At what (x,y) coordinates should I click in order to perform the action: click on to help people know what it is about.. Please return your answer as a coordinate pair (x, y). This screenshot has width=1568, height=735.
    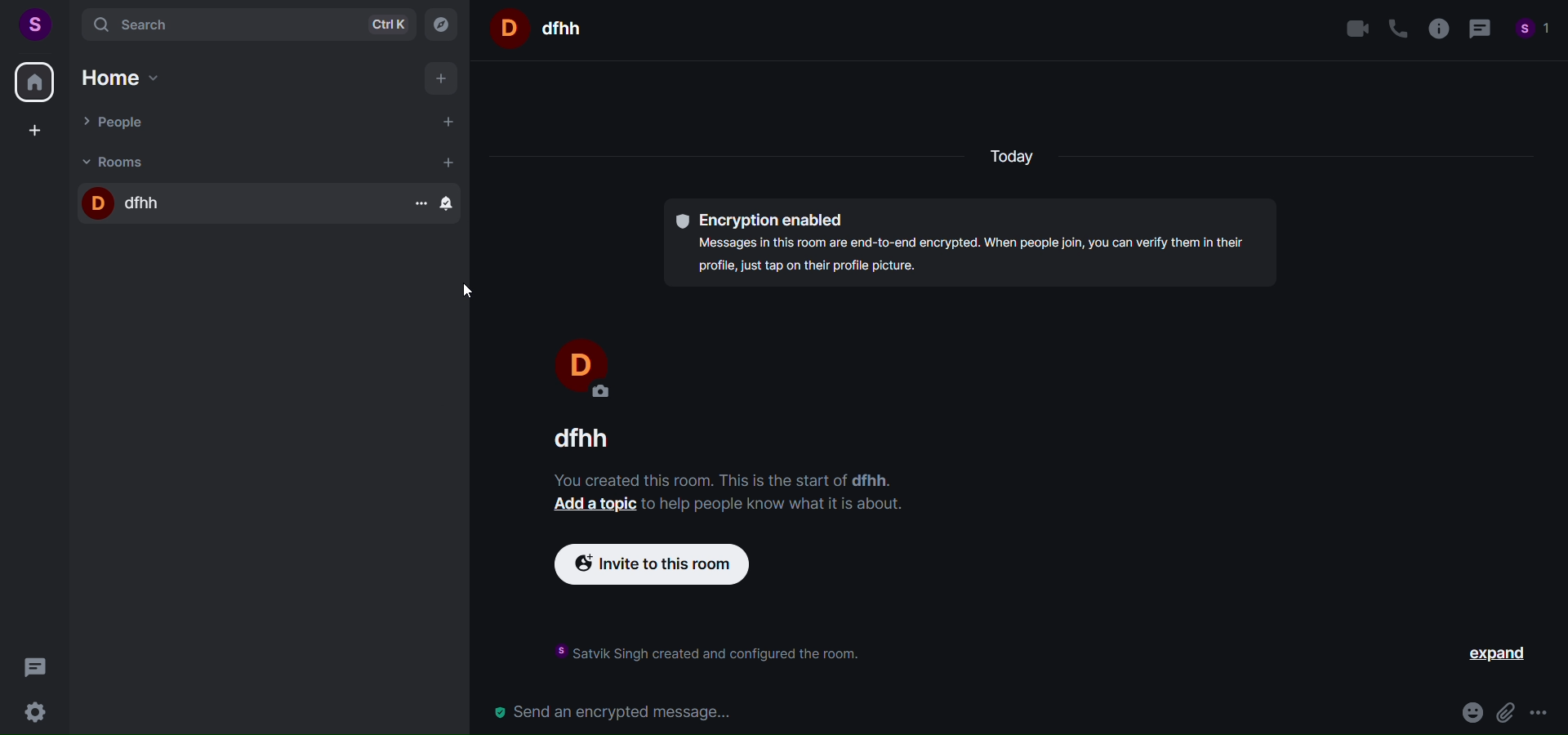
    Looking at the image, I should click on (772, 505).